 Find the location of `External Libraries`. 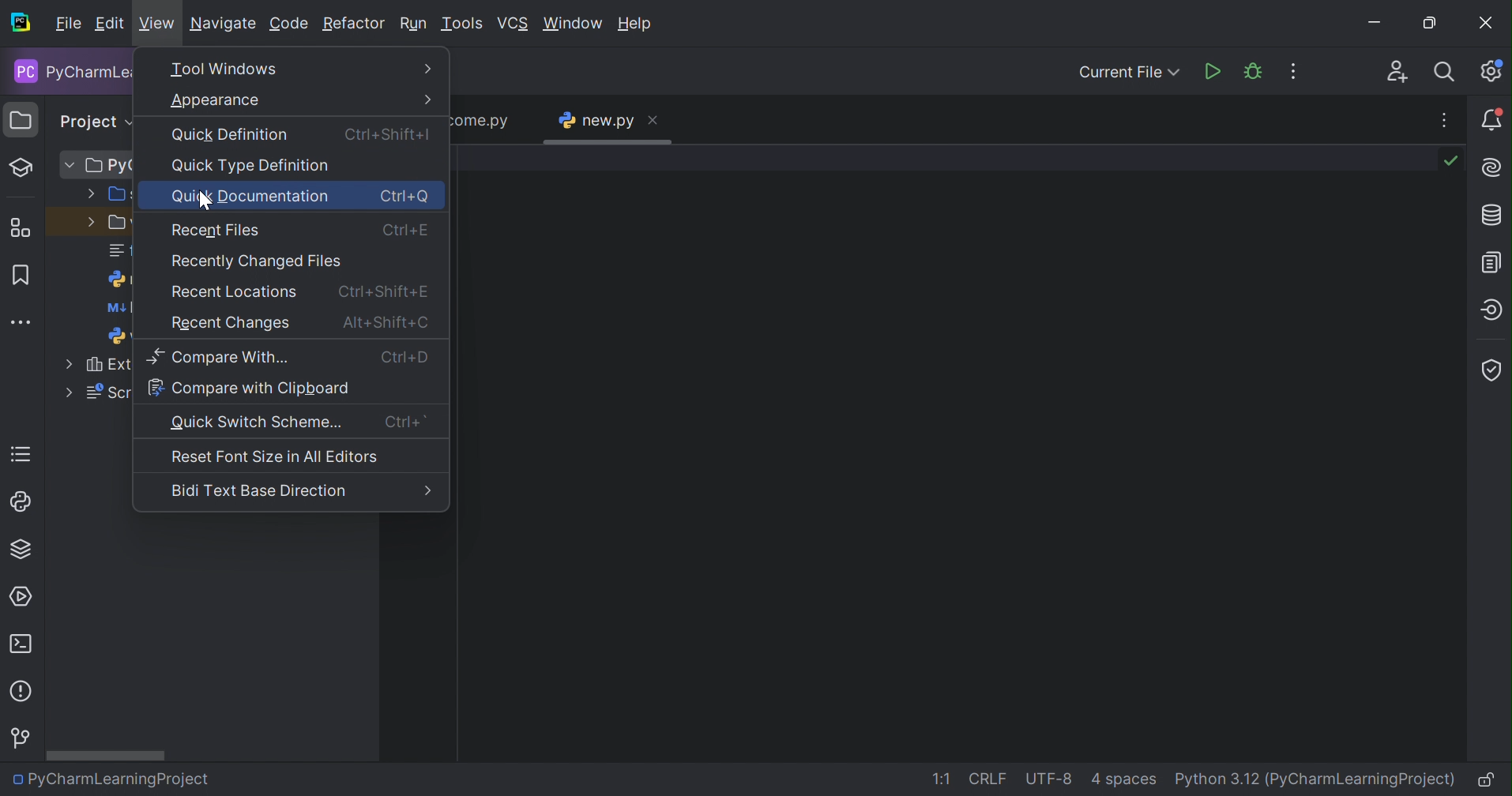

External Libraries is located at coordinates (94, 365).